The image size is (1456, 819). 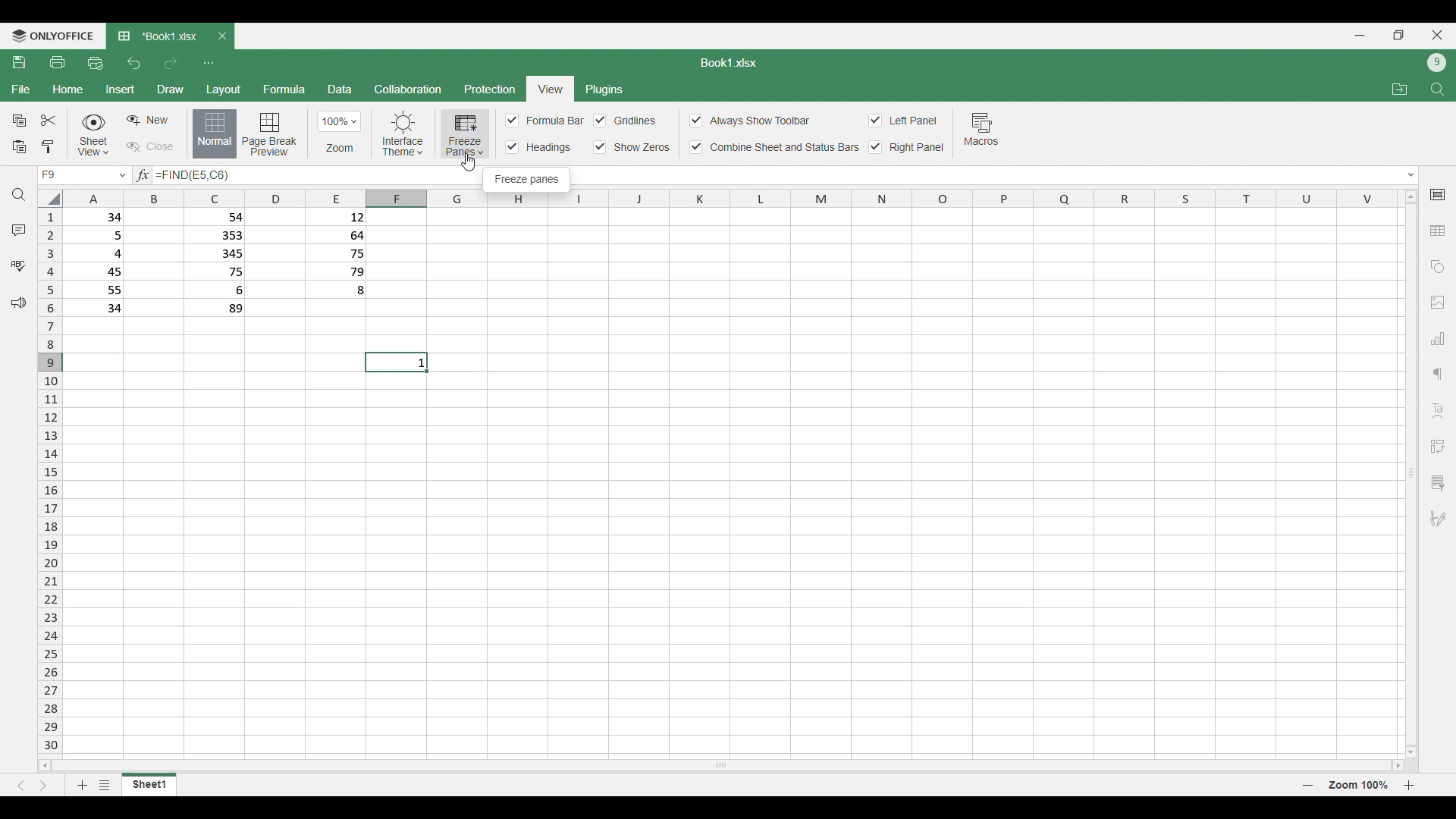 I want to click on Freeze pane options, so click(x=465, y=133).